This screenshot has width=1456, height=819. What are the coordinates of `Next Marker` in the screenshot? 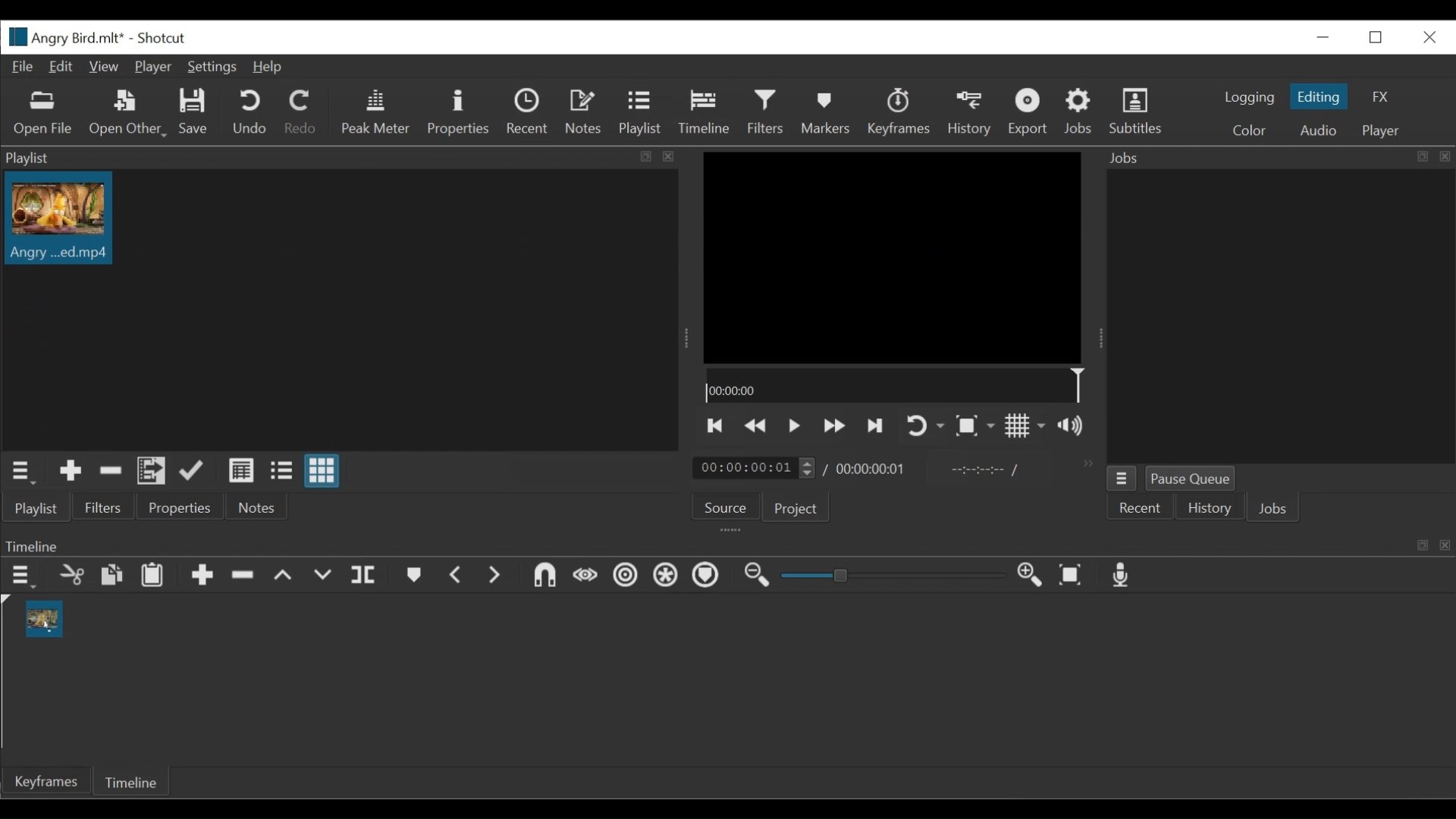 It's located at (498, 576).